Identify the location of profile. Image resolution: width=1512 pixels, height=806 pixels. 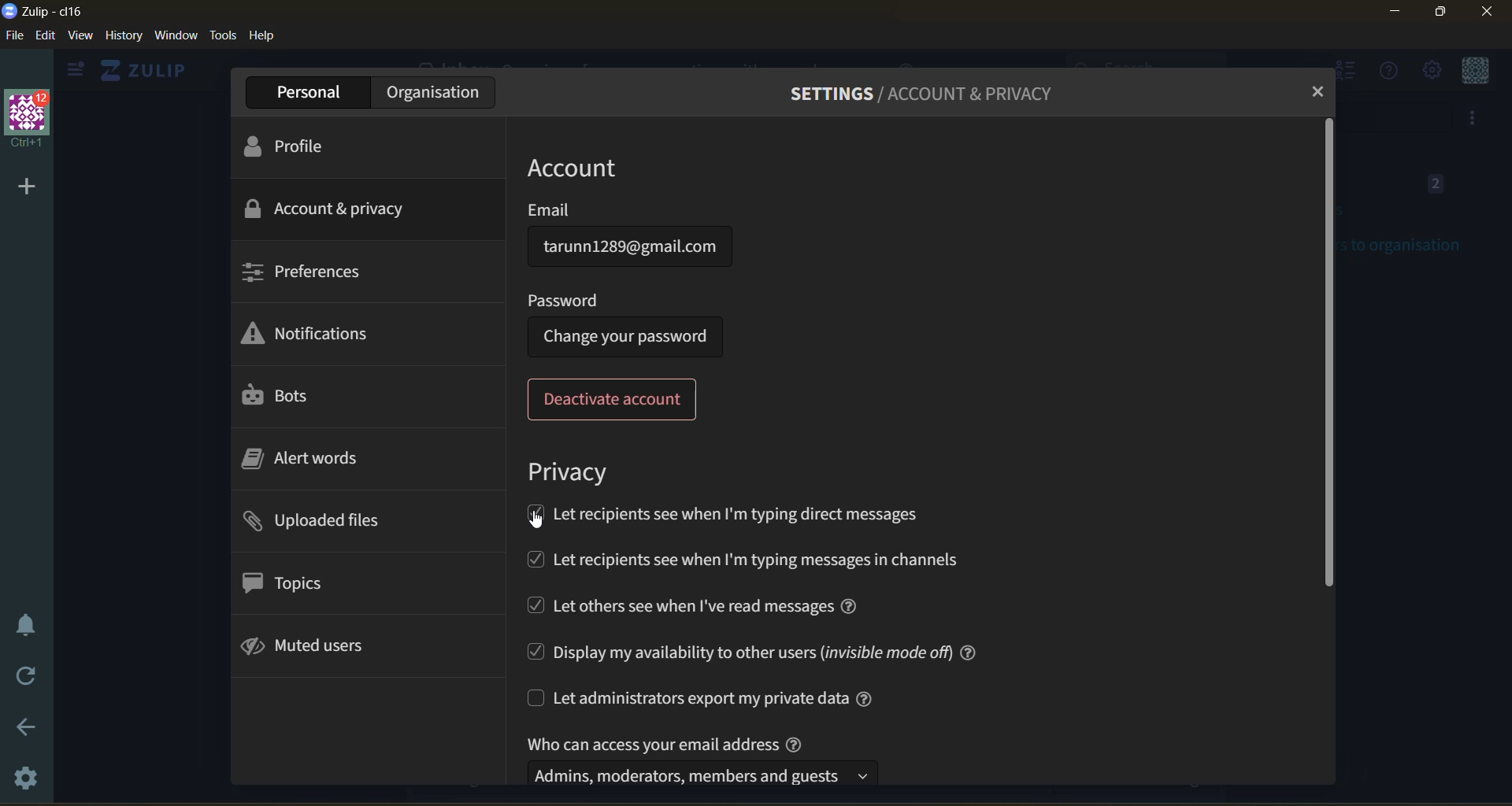
(292, 145).